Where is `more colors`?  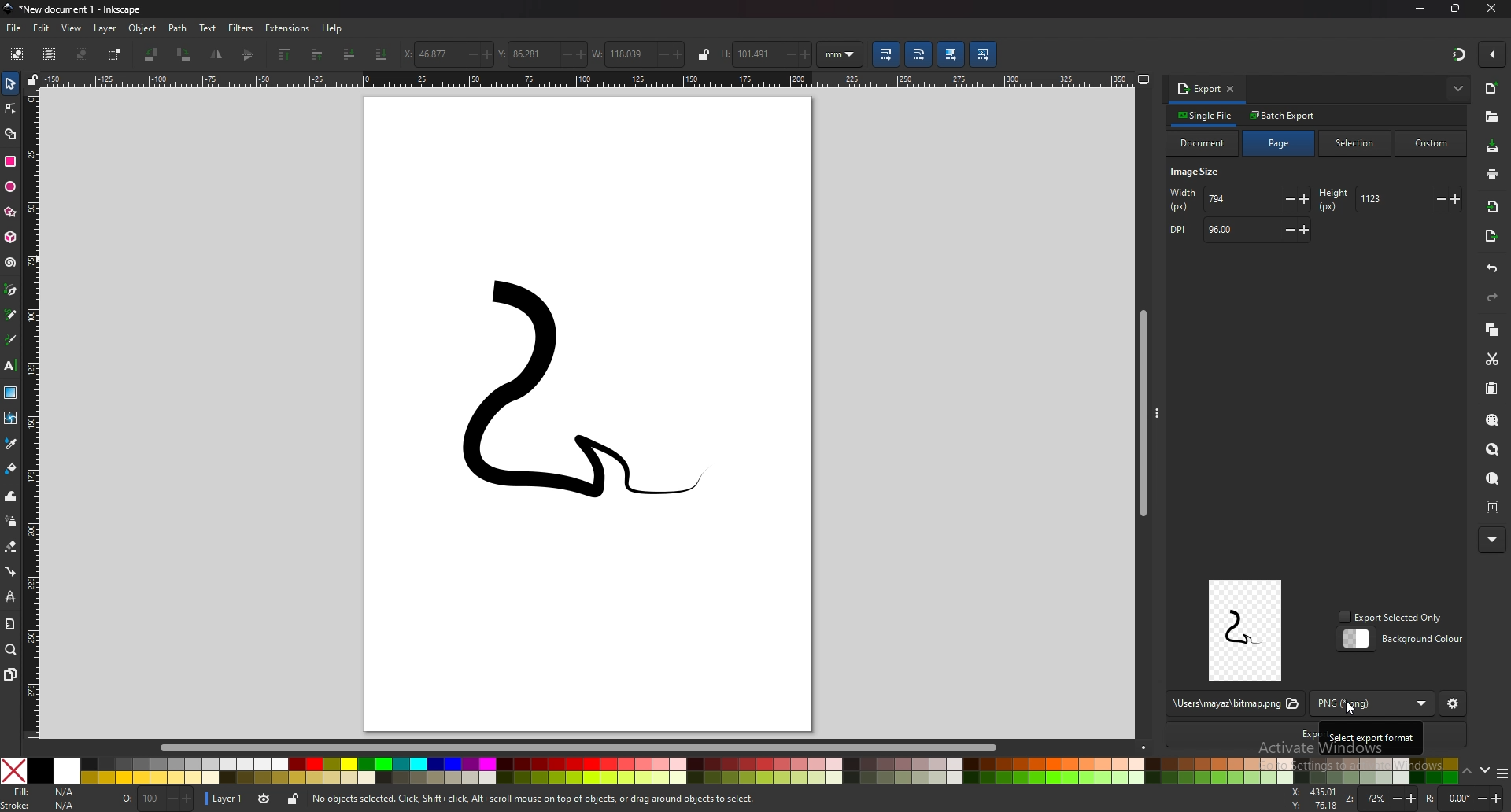 more colors is located at coordinates (1502, 773).